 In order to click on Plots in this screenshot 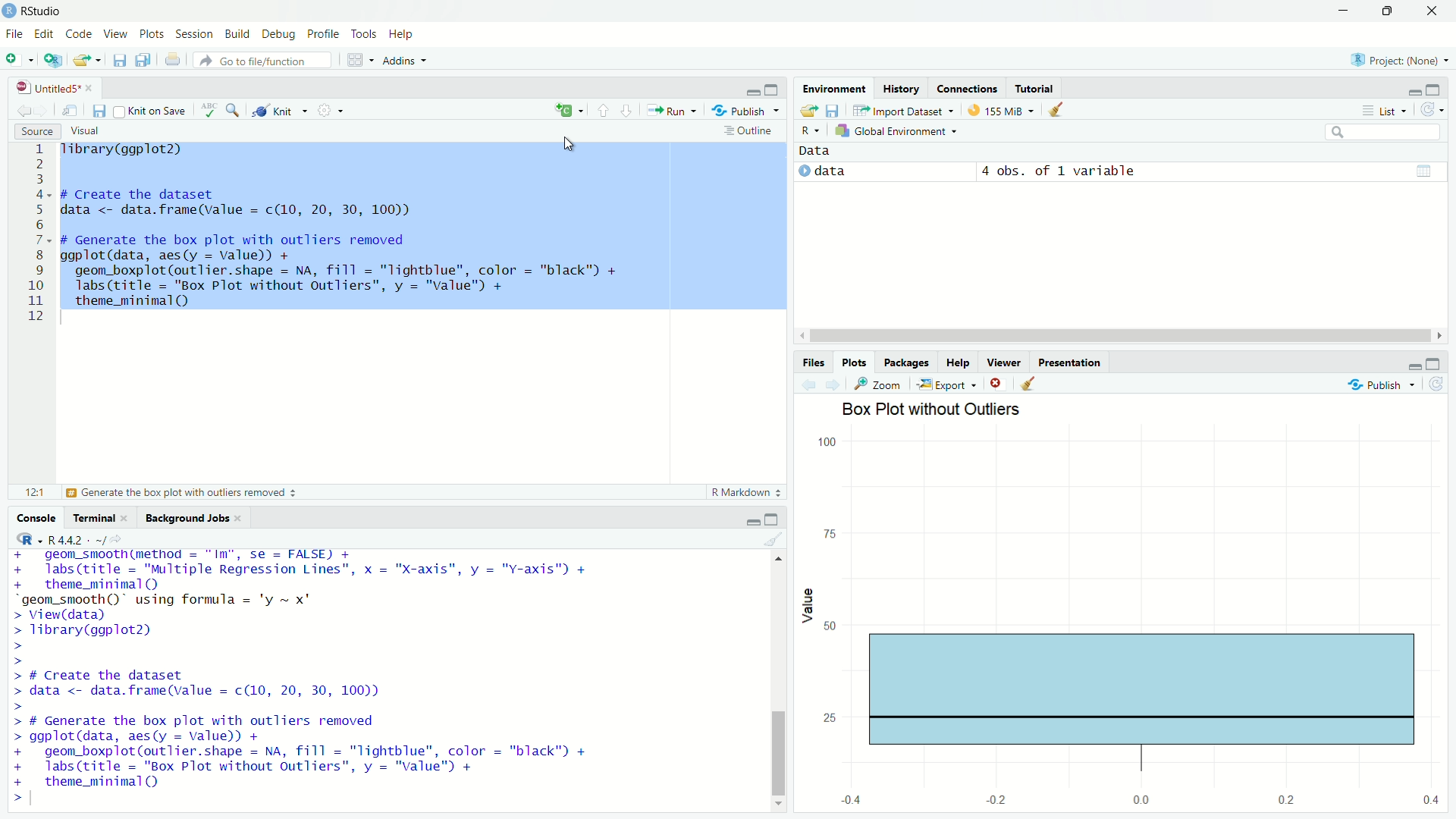, I will do `click(153, 34)`.